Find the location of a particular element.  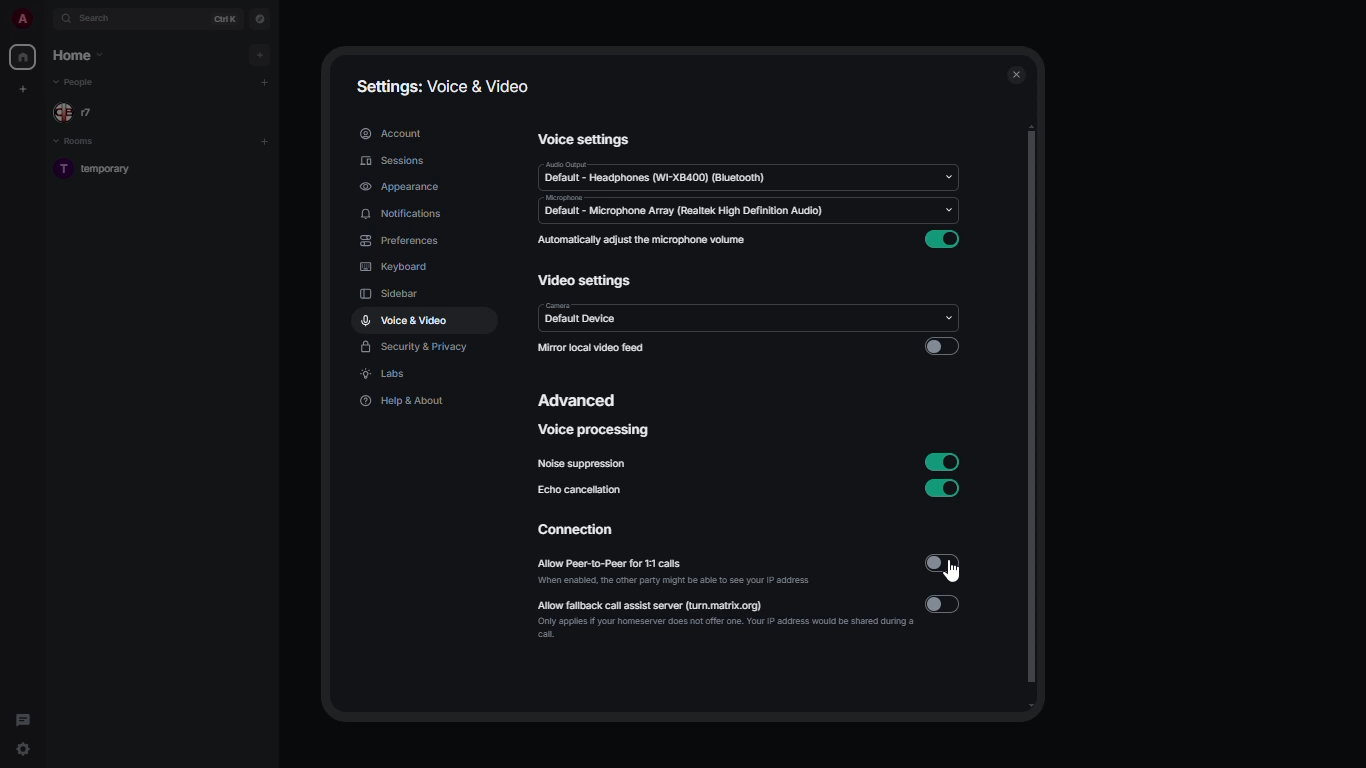

voice settings is located at coordinates (585, 138).